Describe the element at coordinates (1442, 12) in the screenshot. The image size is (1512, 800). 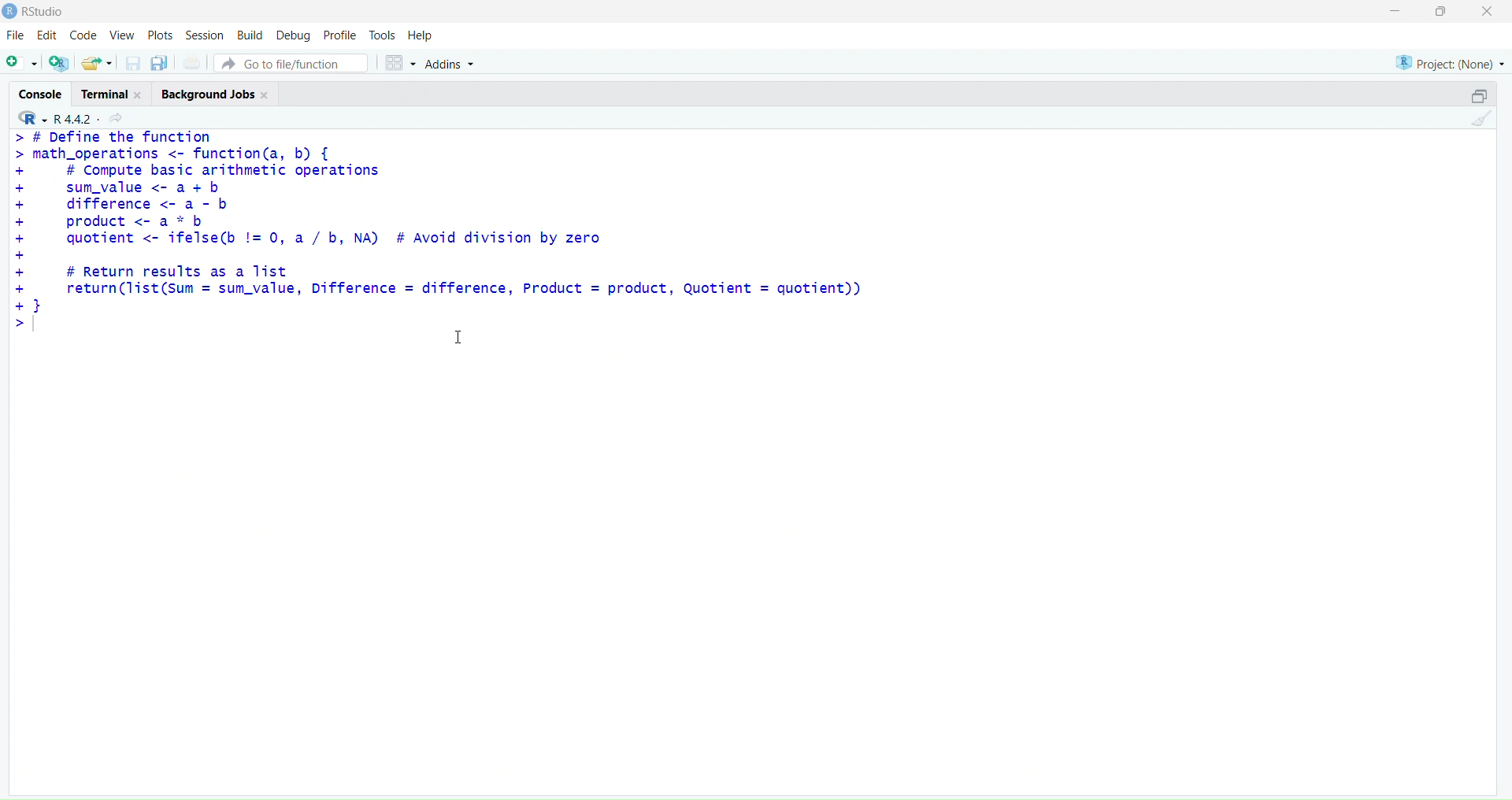
I see `Maximize` at that location.